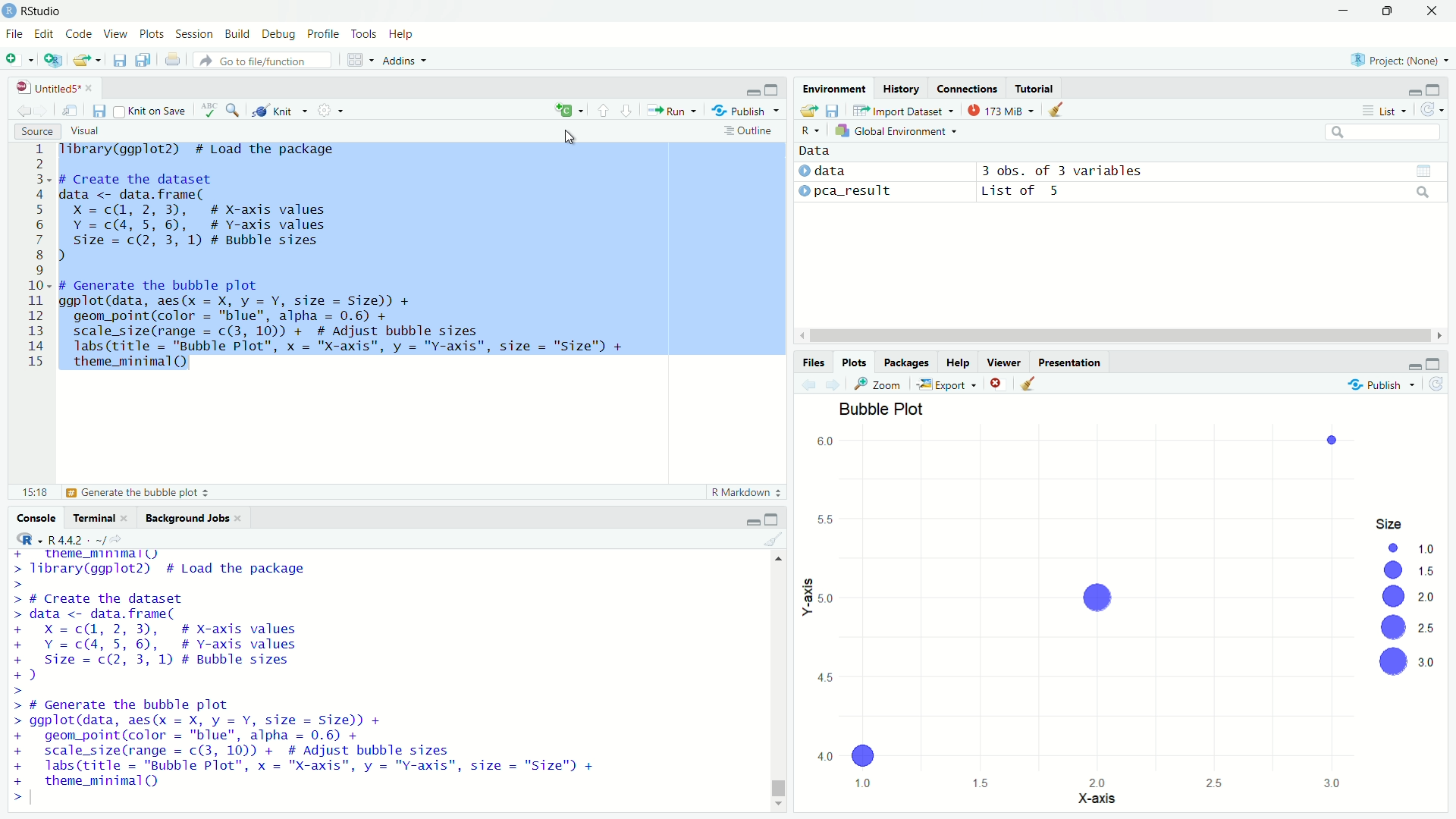 Image resolution: width=1456 pixels, height=819 pixels. What do you see at coordinates (958, 362) in the screenshot?
I see `help` at bounding box center [958, 362].